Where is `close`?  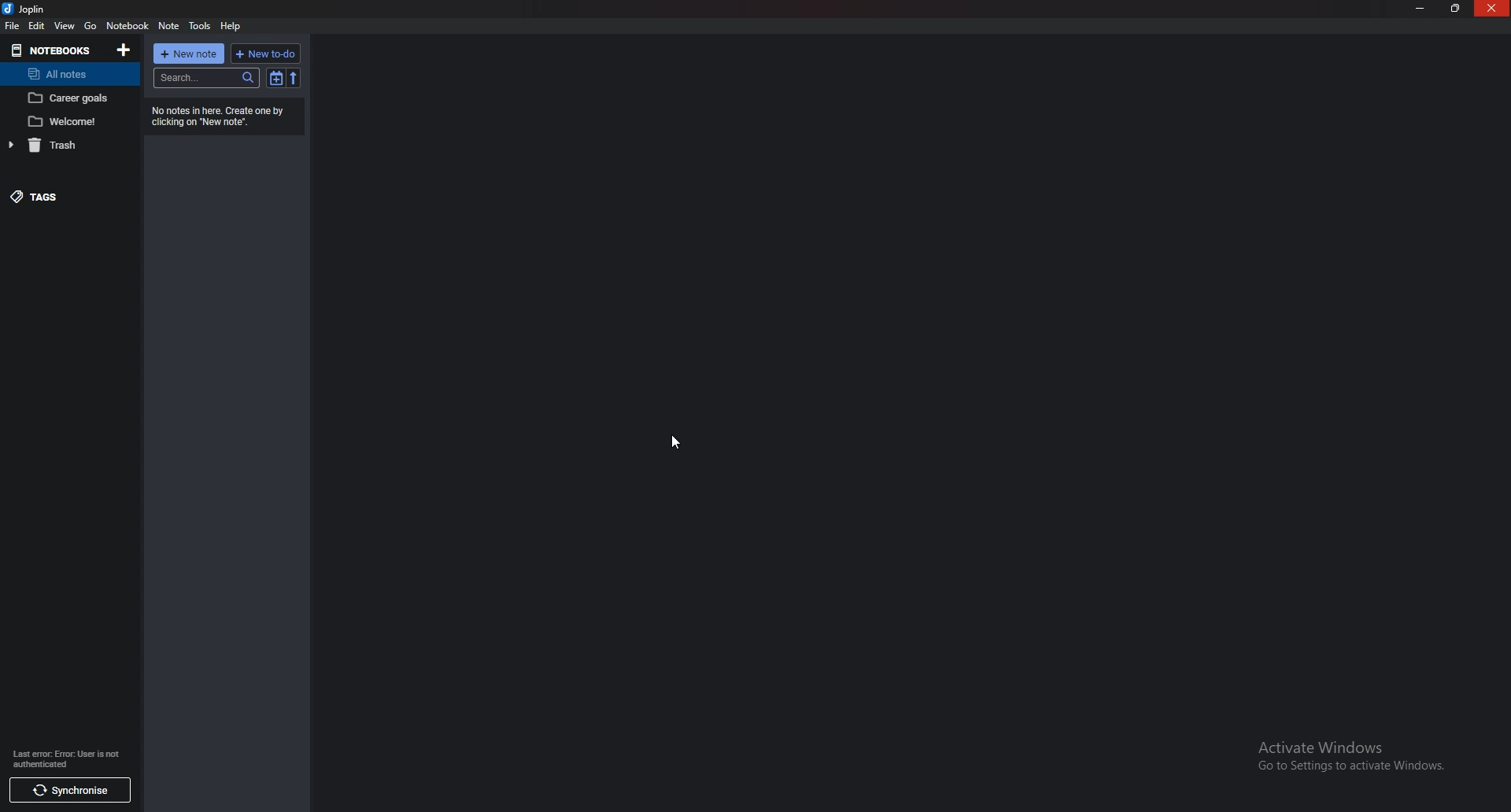 close is located at coordinates (1491, 9).